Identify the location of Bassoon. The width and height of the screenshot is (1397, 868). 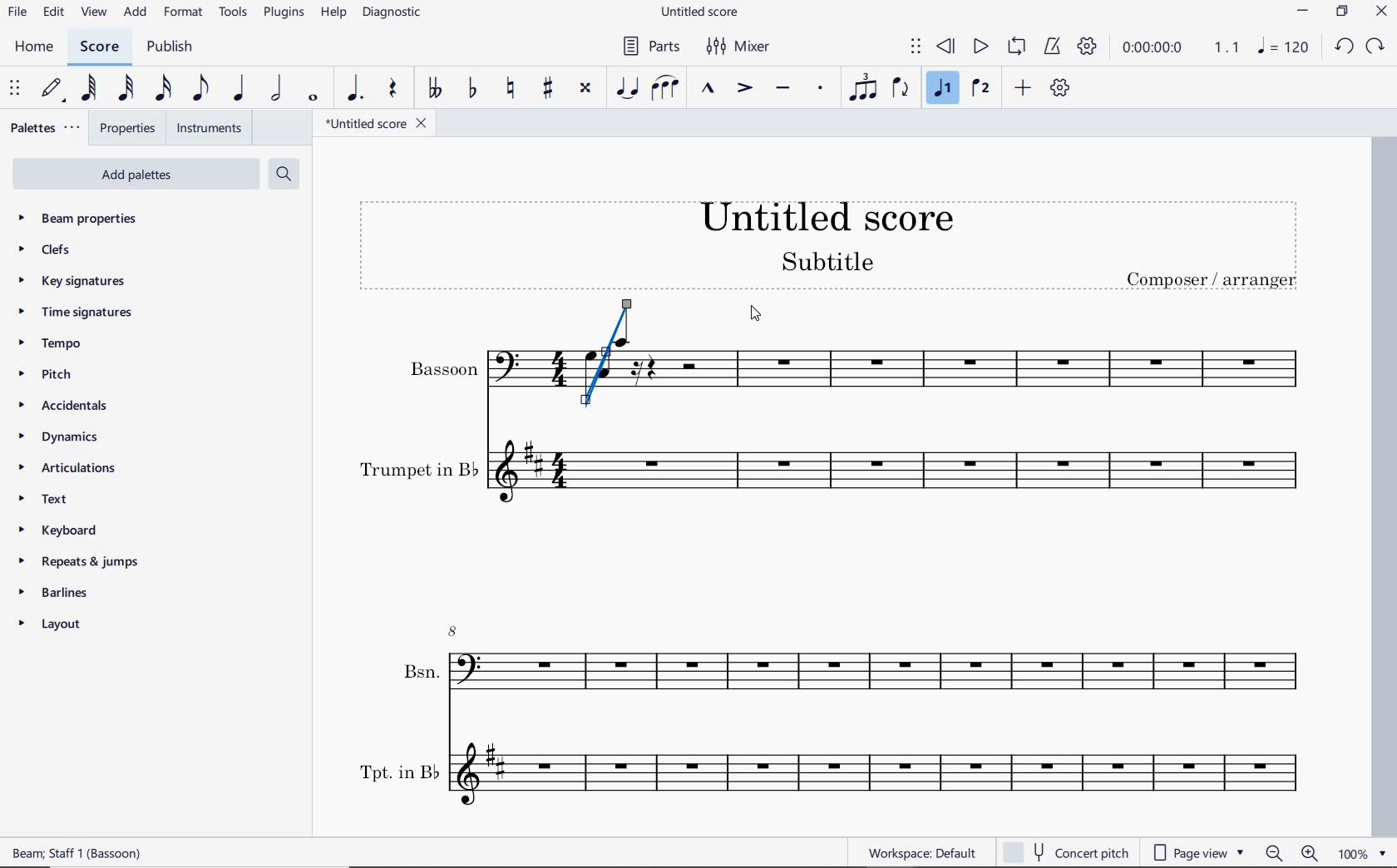
(996, 362).